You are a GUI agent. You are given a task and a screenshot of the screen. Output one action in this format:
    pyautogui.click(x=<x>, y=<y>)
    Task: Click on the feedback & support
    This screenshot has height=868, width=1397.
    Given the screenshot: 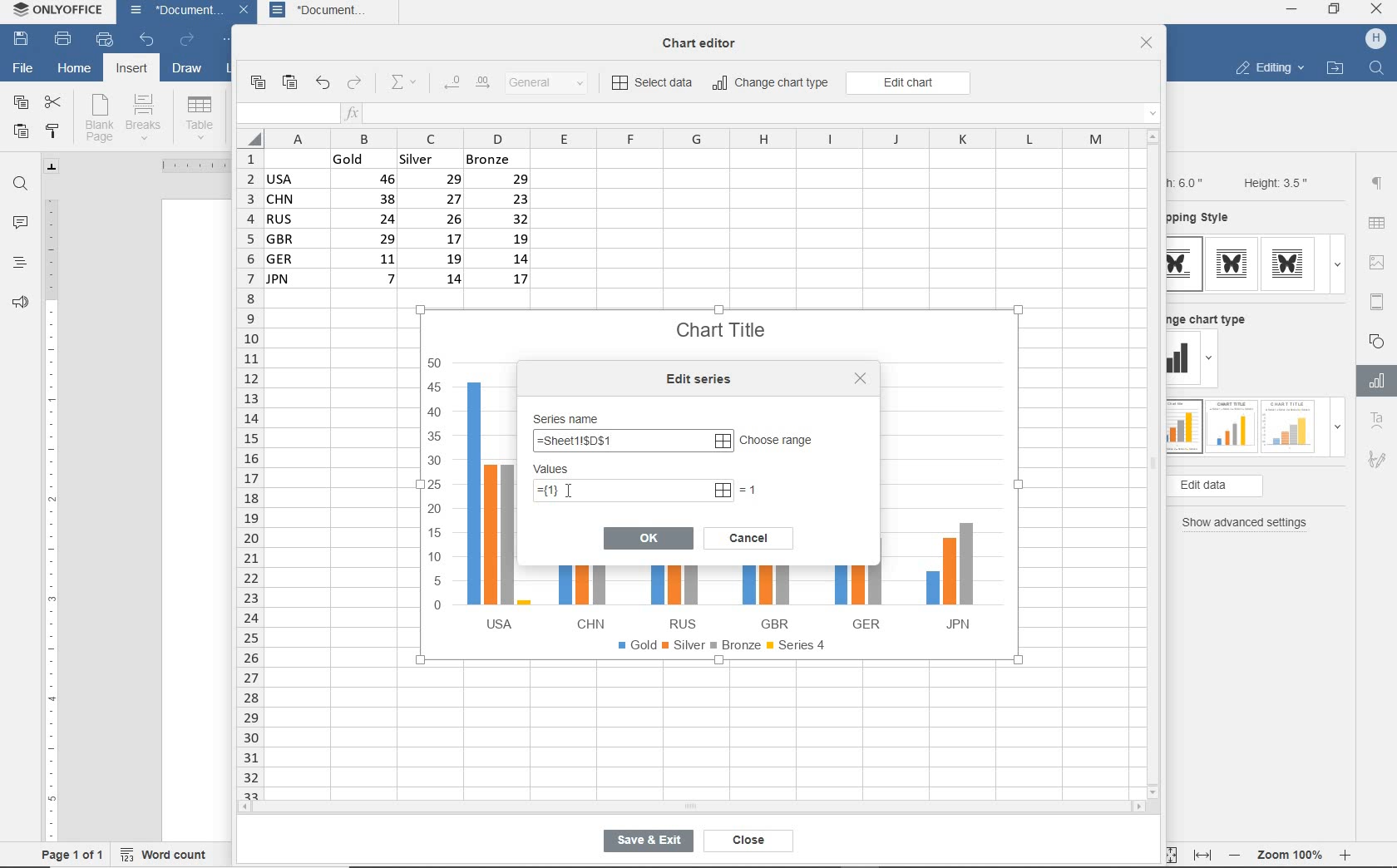 What is the action you would take?
    pyautogui.click(x=18, y=306)
    